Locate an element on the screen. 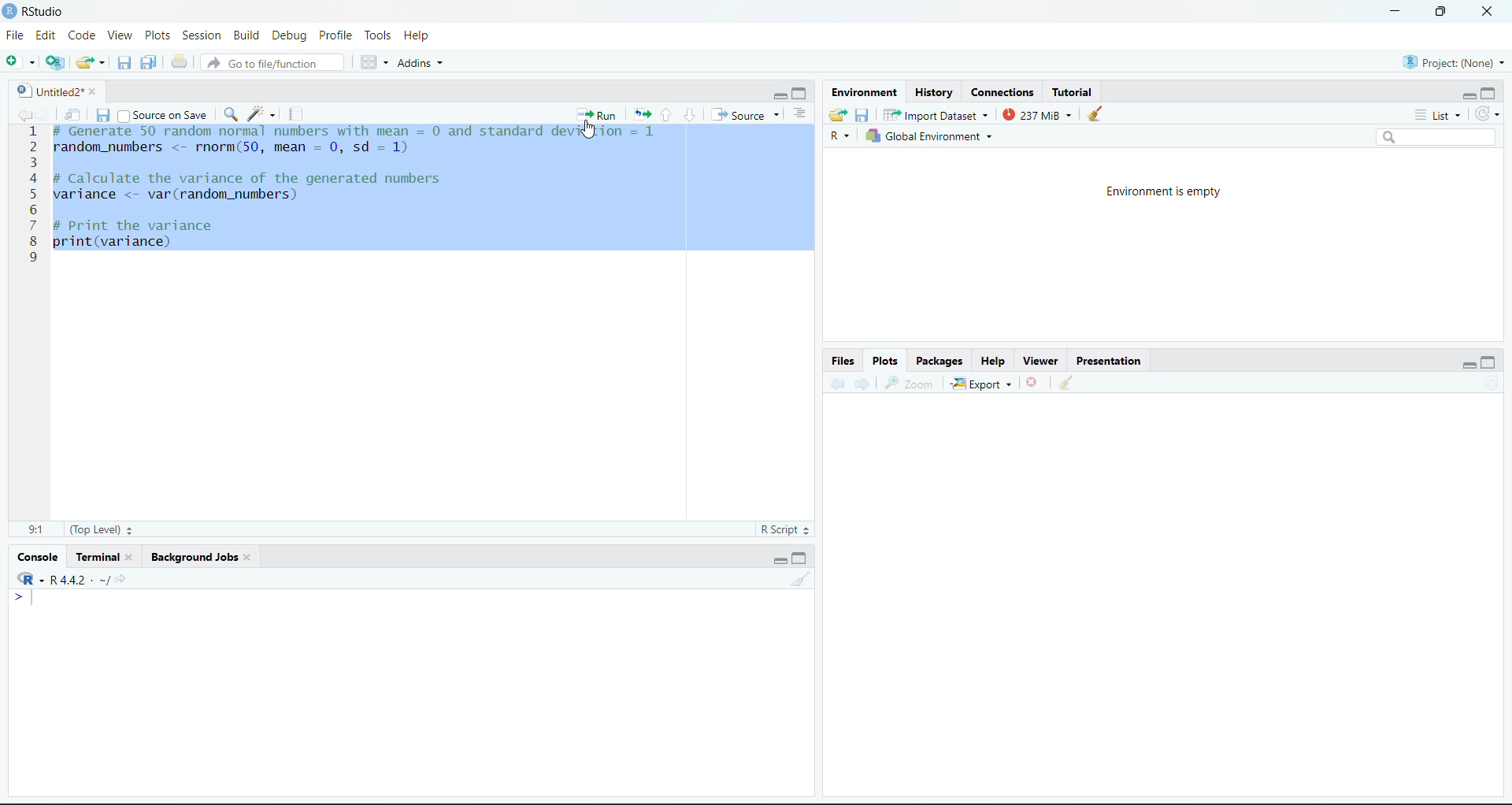 The image size is (1512, 805). Edit is located at coordinates (46, 35).